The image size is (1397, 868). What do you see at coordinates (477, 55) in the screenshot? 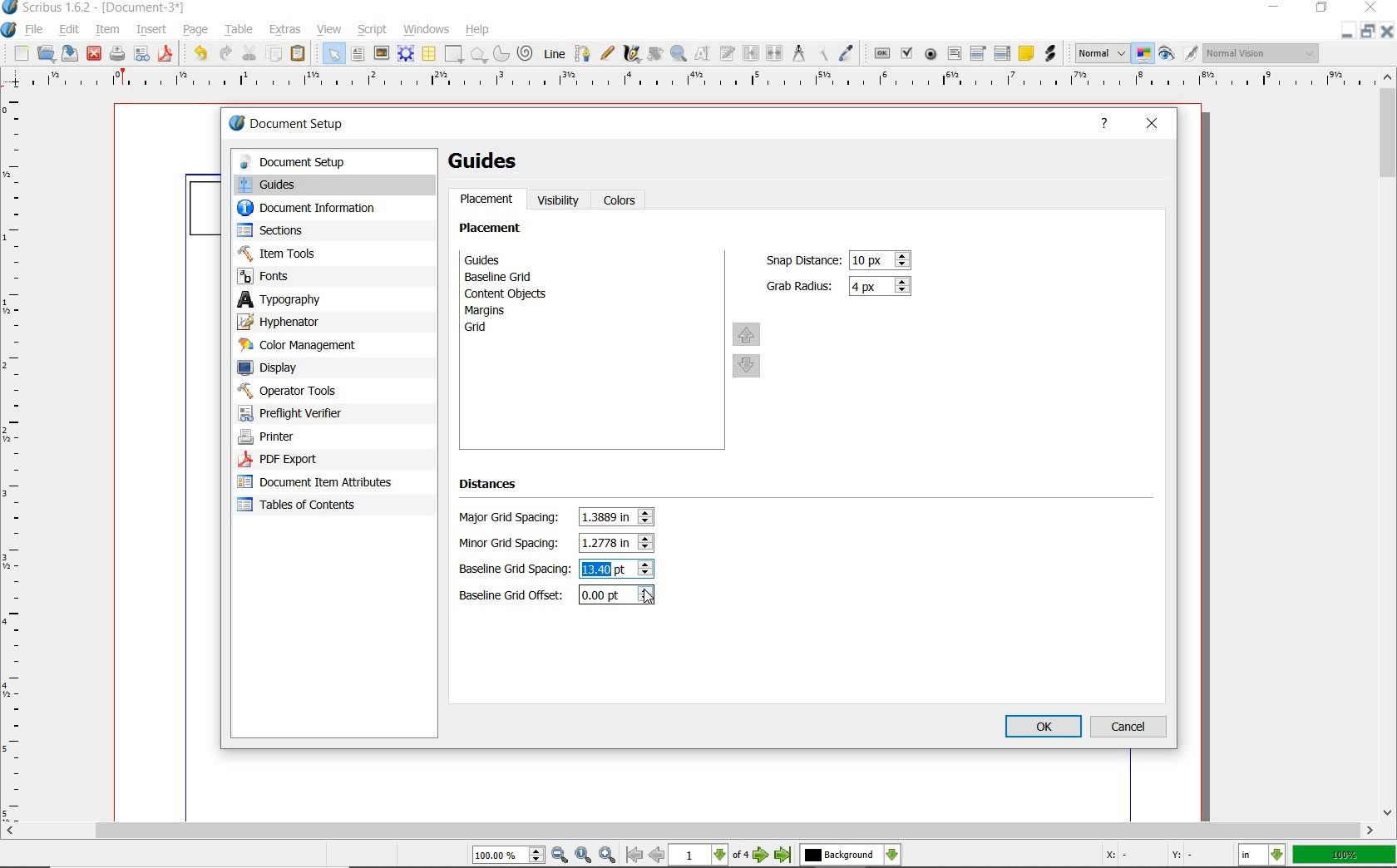
I see `polygon` at bounding box center [477, 55].